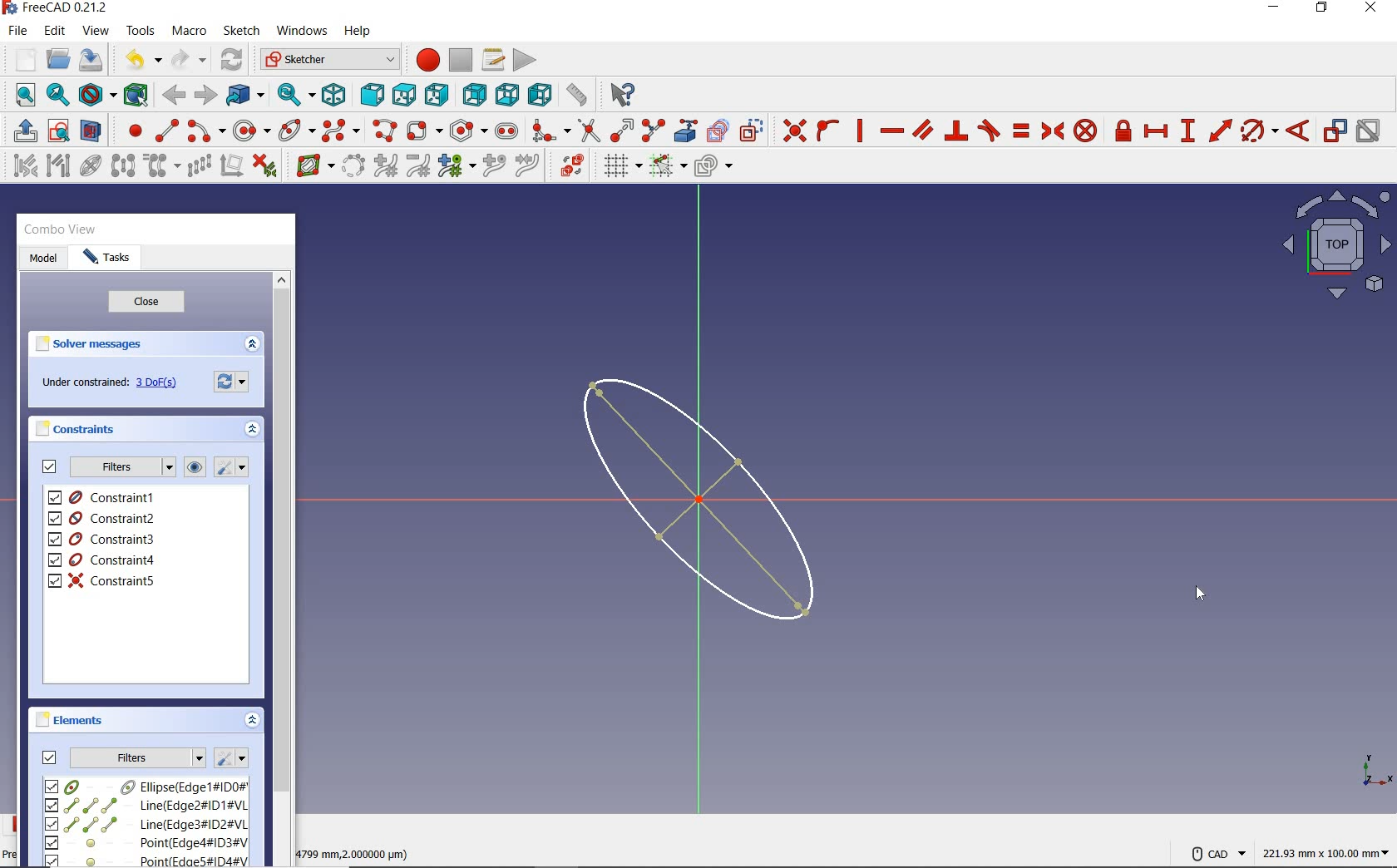 The height and width of the screenshot is (868, 1397). Describe the element at coordinates (252, 128) in the screenshot. I see `create circle` at that location.